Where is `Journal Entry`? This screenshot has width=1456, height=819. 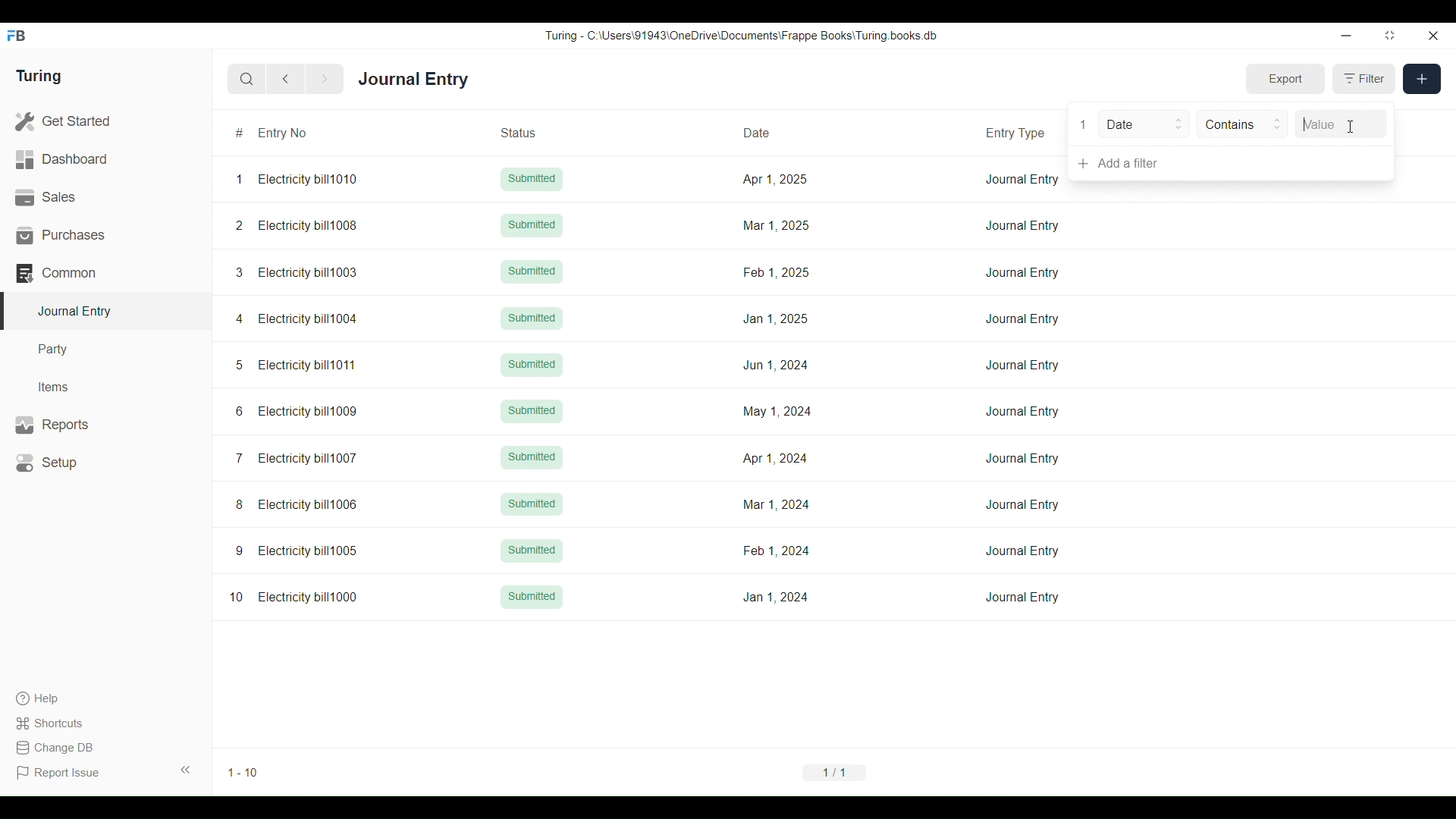 Journal Entry is located at coordinates (413, 78).